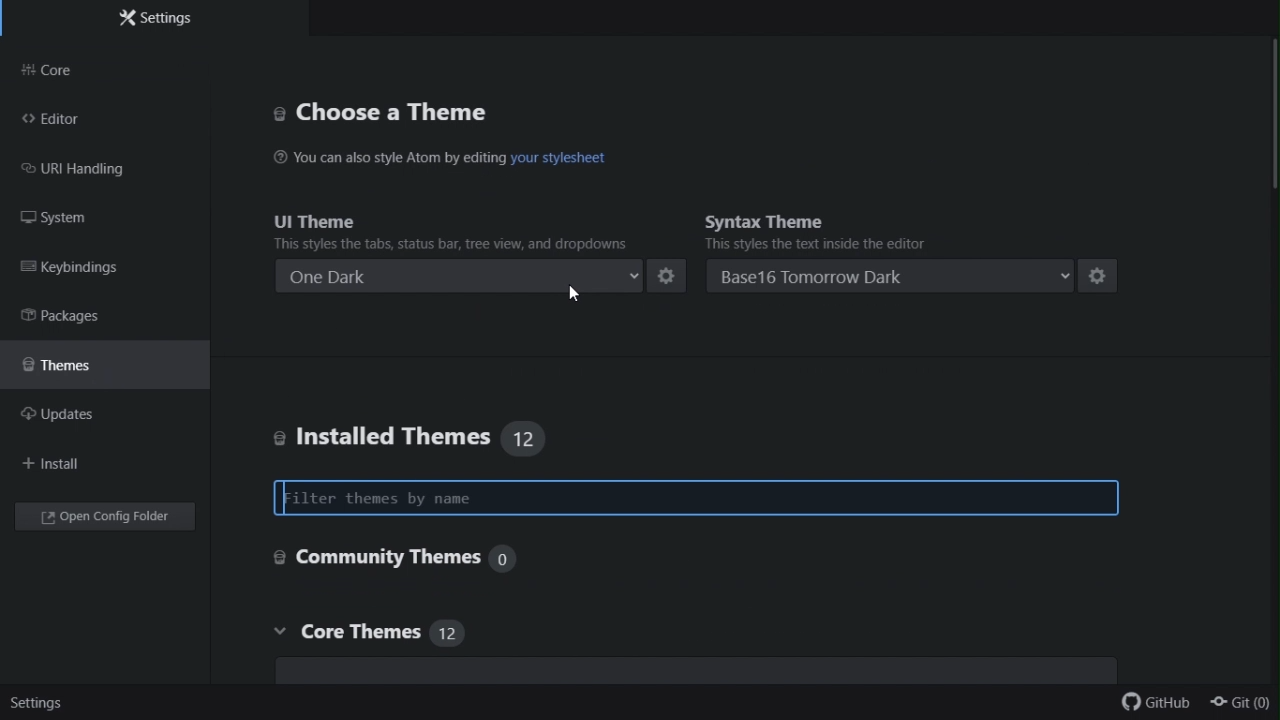  Describe the element at coordinates (668, 275) in the screenshot. I see `settings` at that location.